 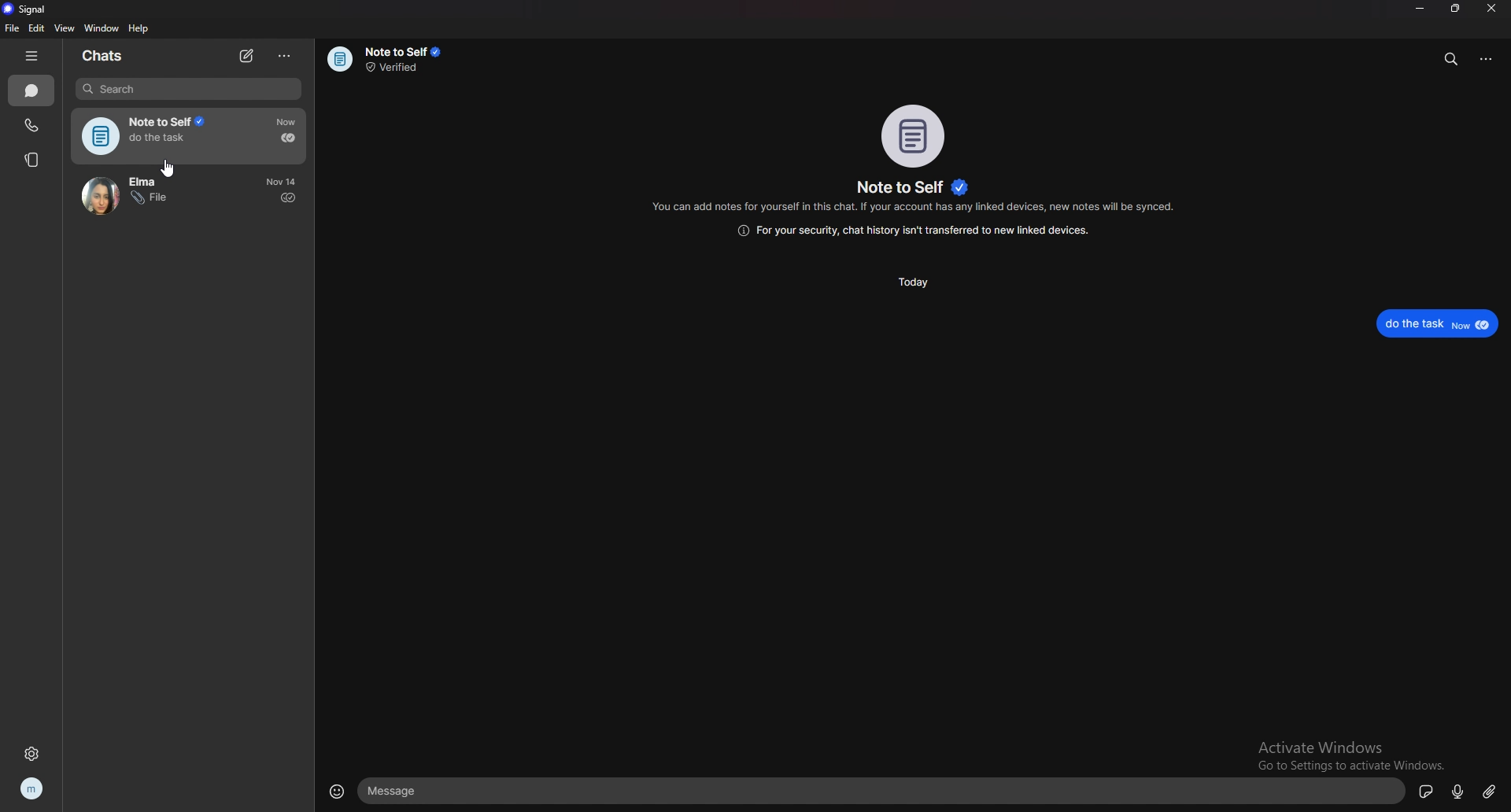 What do you see at coordinates (1489, 791) in the screenshot?
I see `attachment` at bounding box center [1489, 791].